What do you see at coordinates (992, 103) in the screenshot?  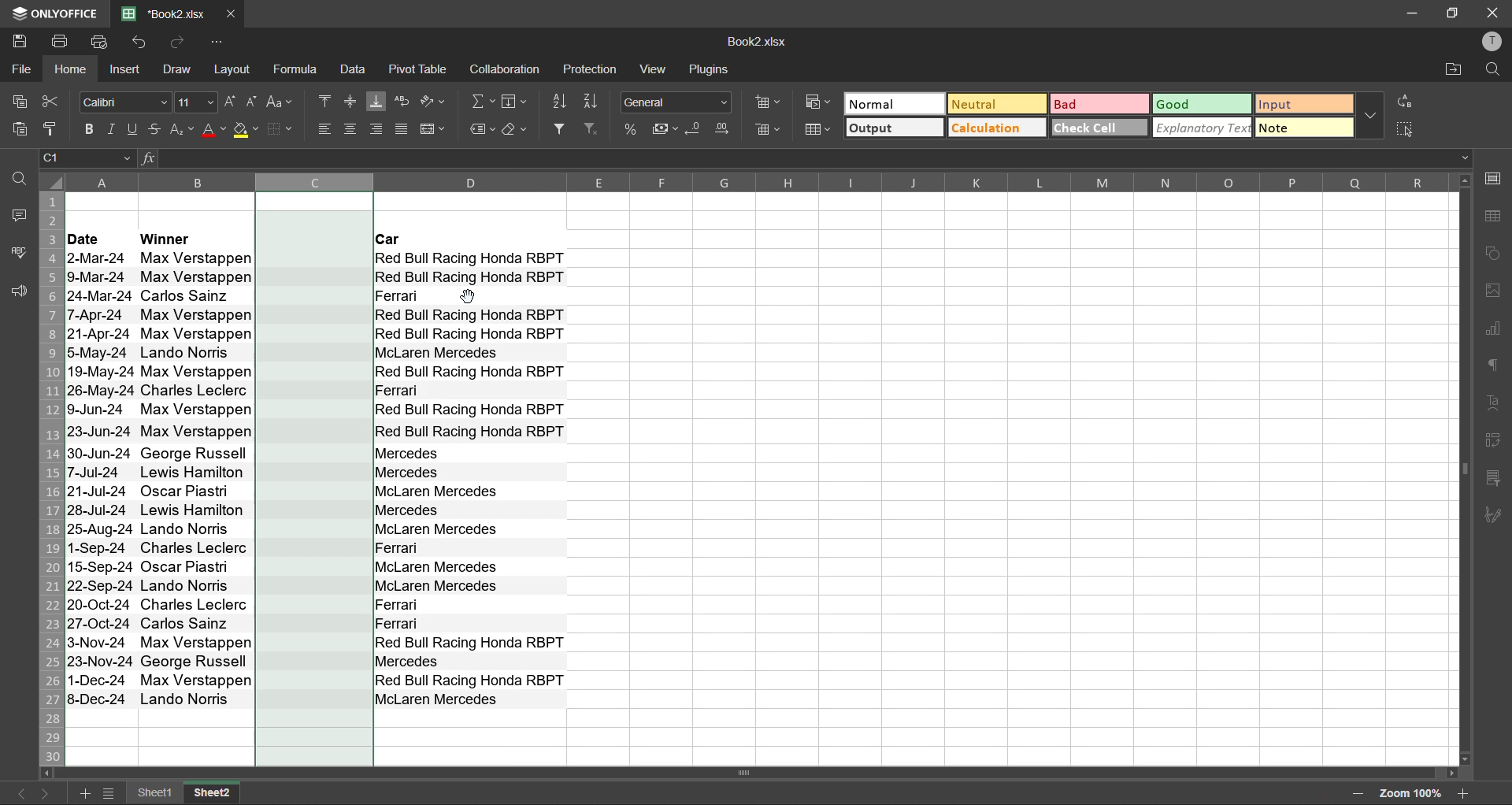 I see `neutral` at bounding box center [992, 103].